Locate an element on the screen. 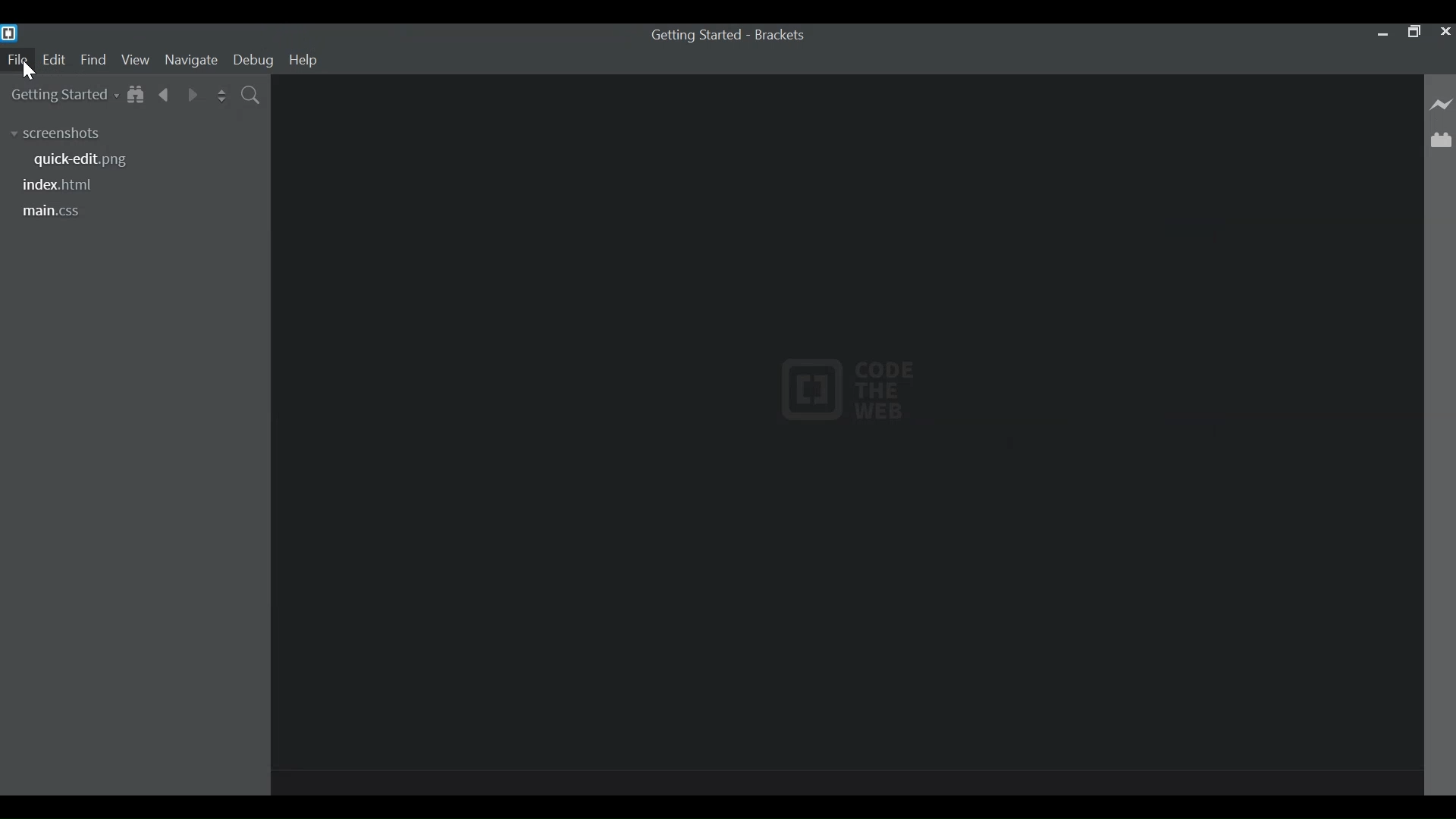 Image resolution: width=1456 pixels, height=819 pixels. Help is located at coordinates (306, 61).